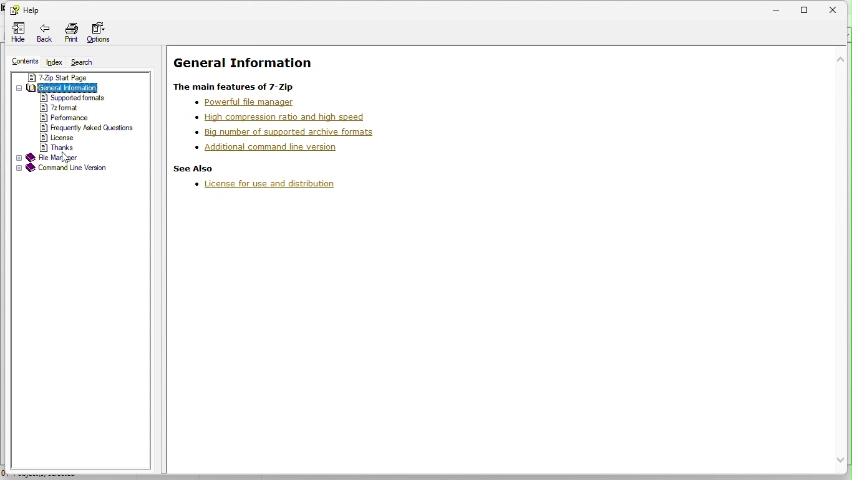 This screenshot has height=480, width=852. What do you see at coordinates (61, 147) in the screenshot?
I see `thanks` at bounding box center [61, 147].